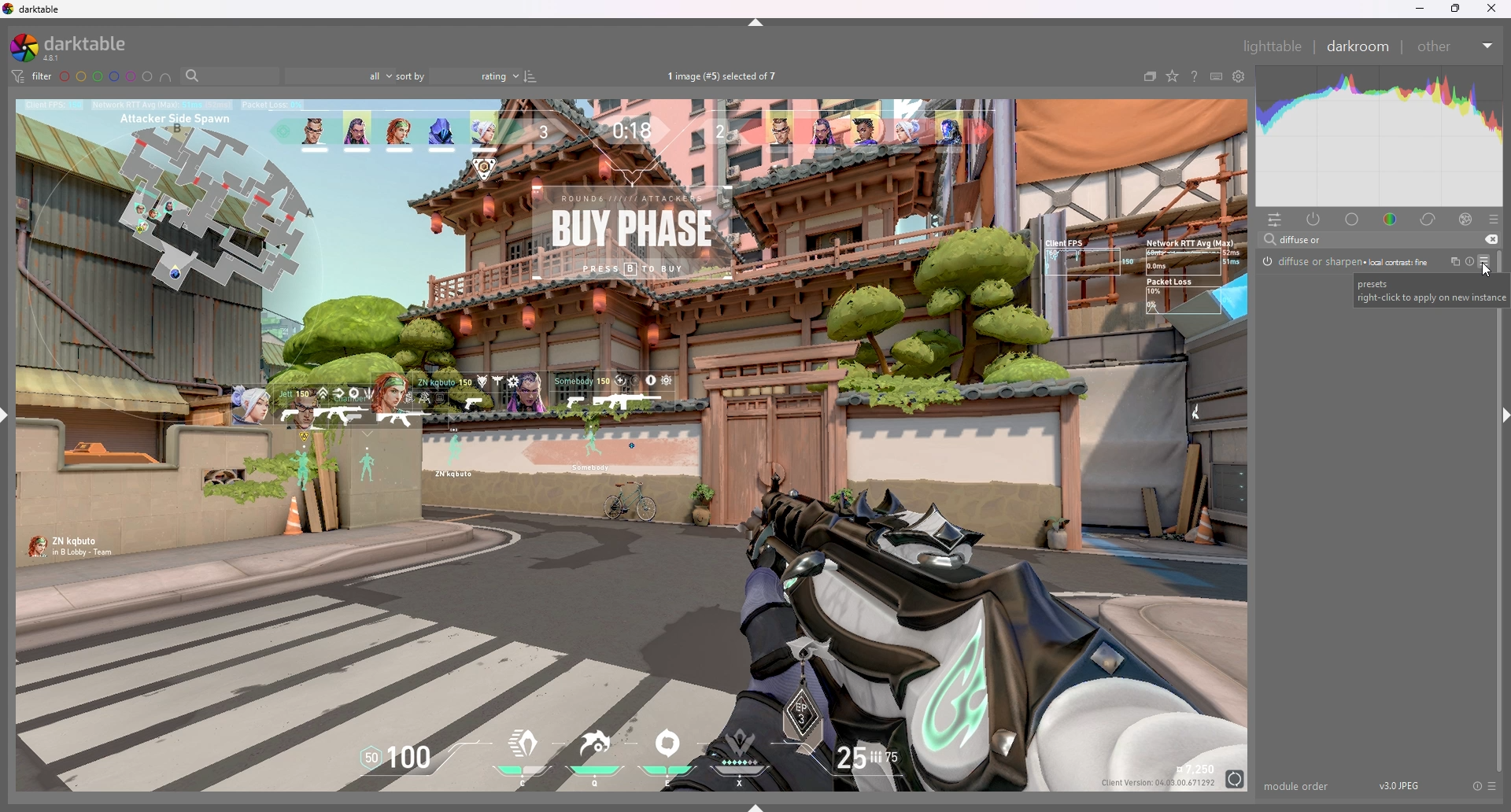 Image resolution: width=1511 pixels, height=812 pixels. Describe the element at coordinates (1276, 219) in the screenshot. I see `quick access panel` at that location.